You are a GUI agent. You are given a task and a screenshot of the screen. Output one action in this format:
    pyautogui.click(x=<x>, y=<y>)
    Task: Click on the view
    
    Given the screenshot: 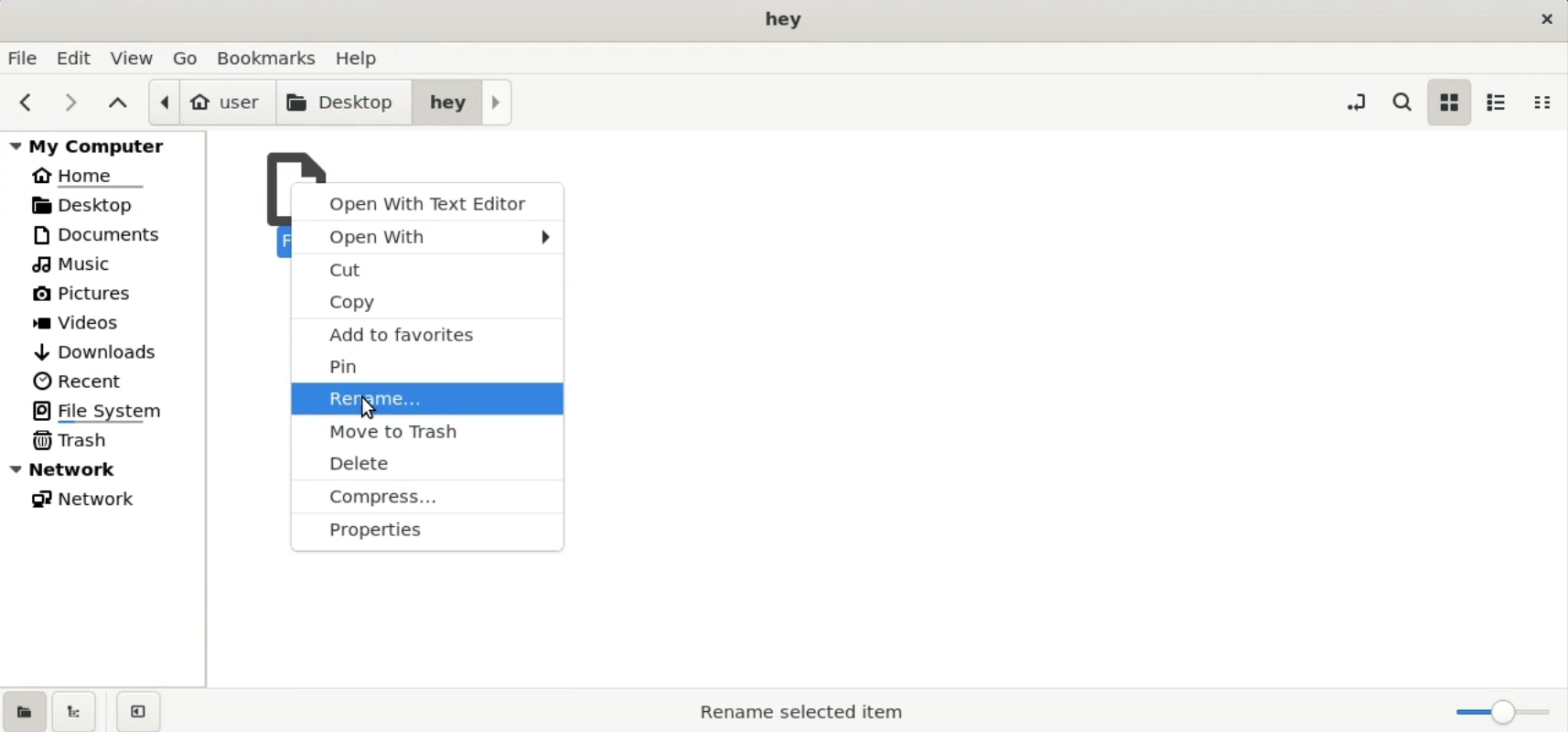 What is the action you would take?
    pyautogui.click(x=134, y=57)
    